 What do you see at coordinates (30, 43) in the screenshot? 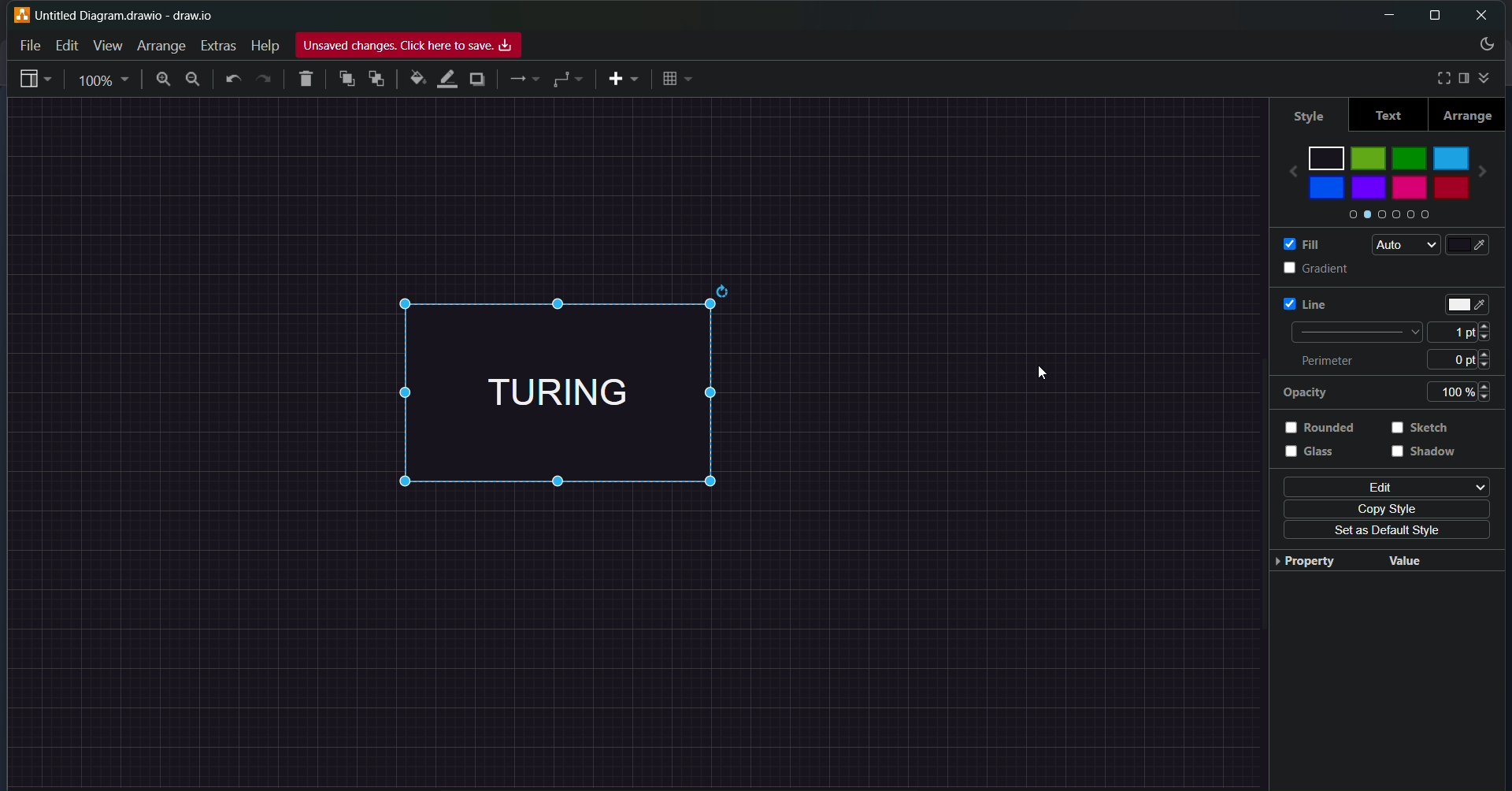
I see `File` at bounding box center [30, 43].